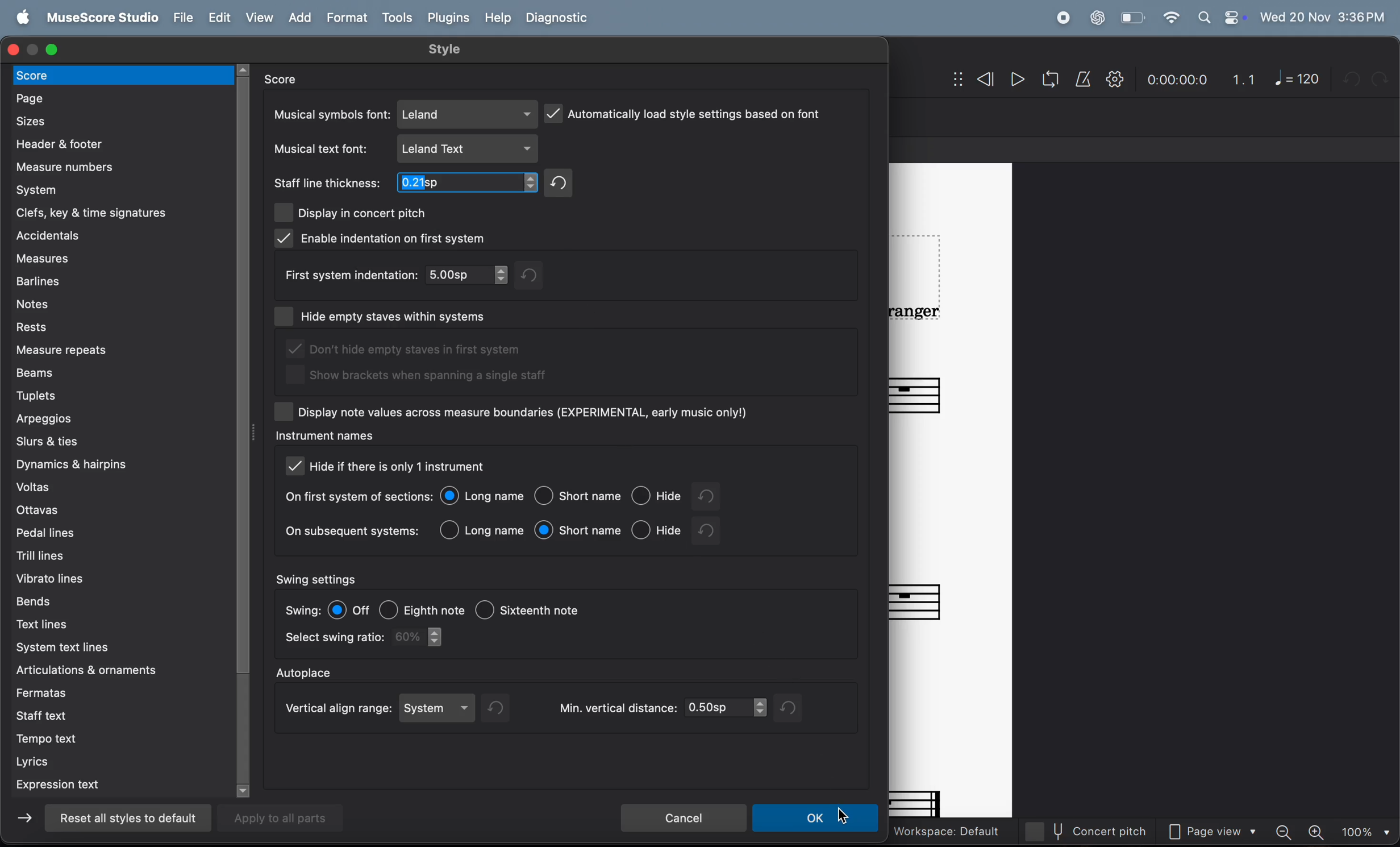  What do you see at coordinates (685, 112) in the screenshot?
I see `automatically load style settings` at bounding box center [685, 112].